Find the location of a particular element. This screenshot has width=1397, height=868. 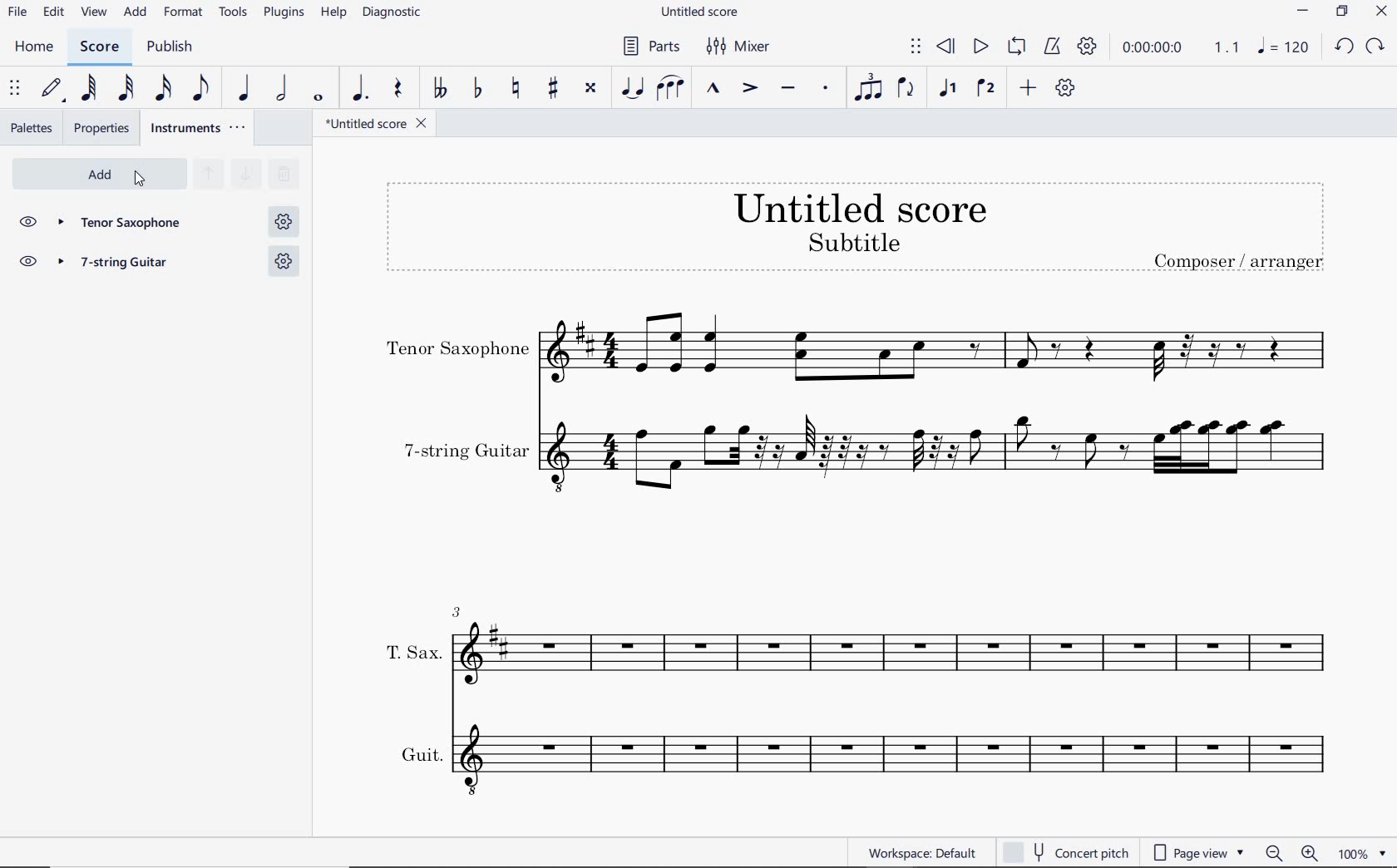

WHOLE NOTE is located at coordinates (320, 99).